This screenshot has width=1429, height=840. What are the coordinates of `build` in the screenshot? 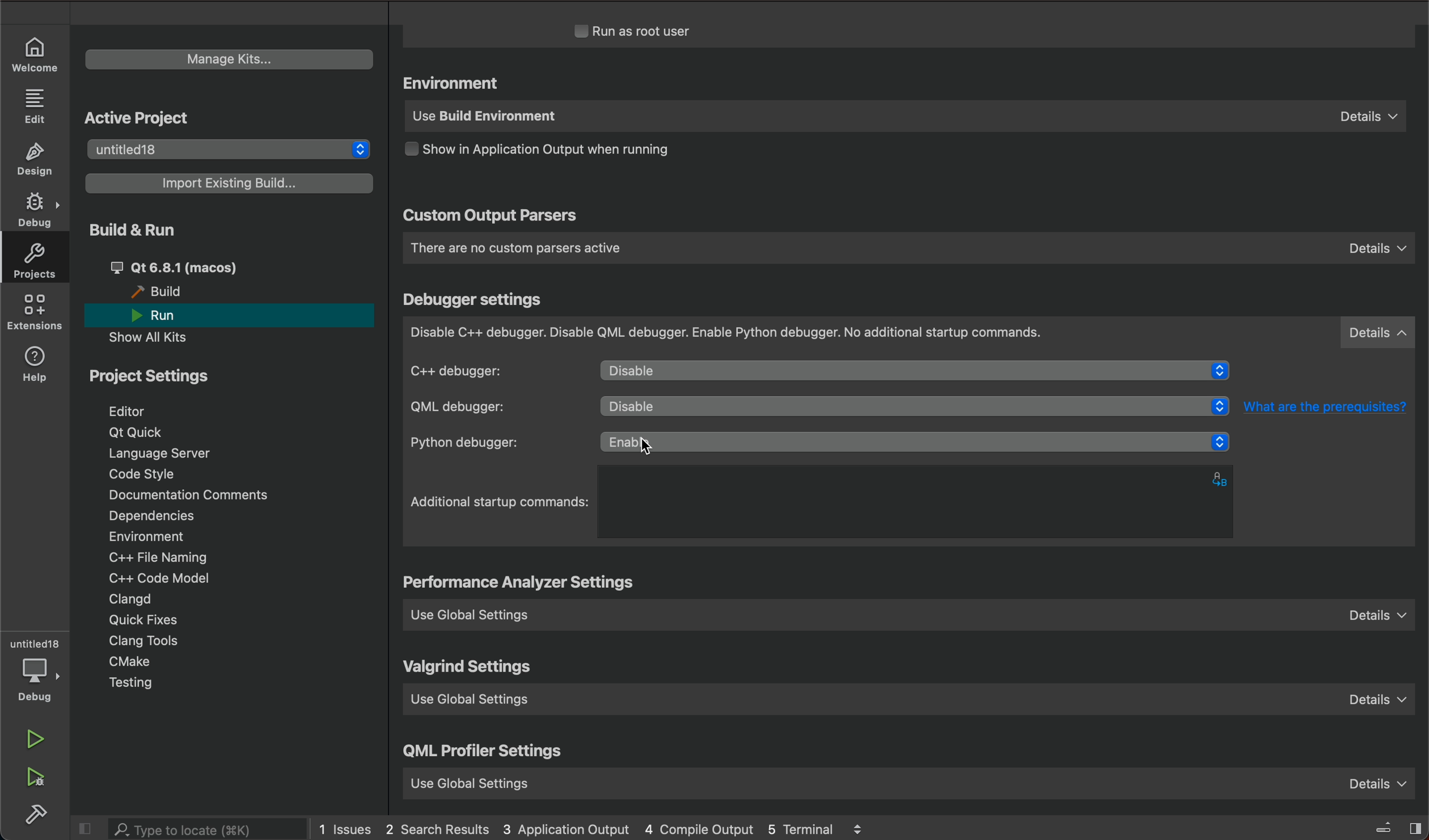 It's located at (38, 814).